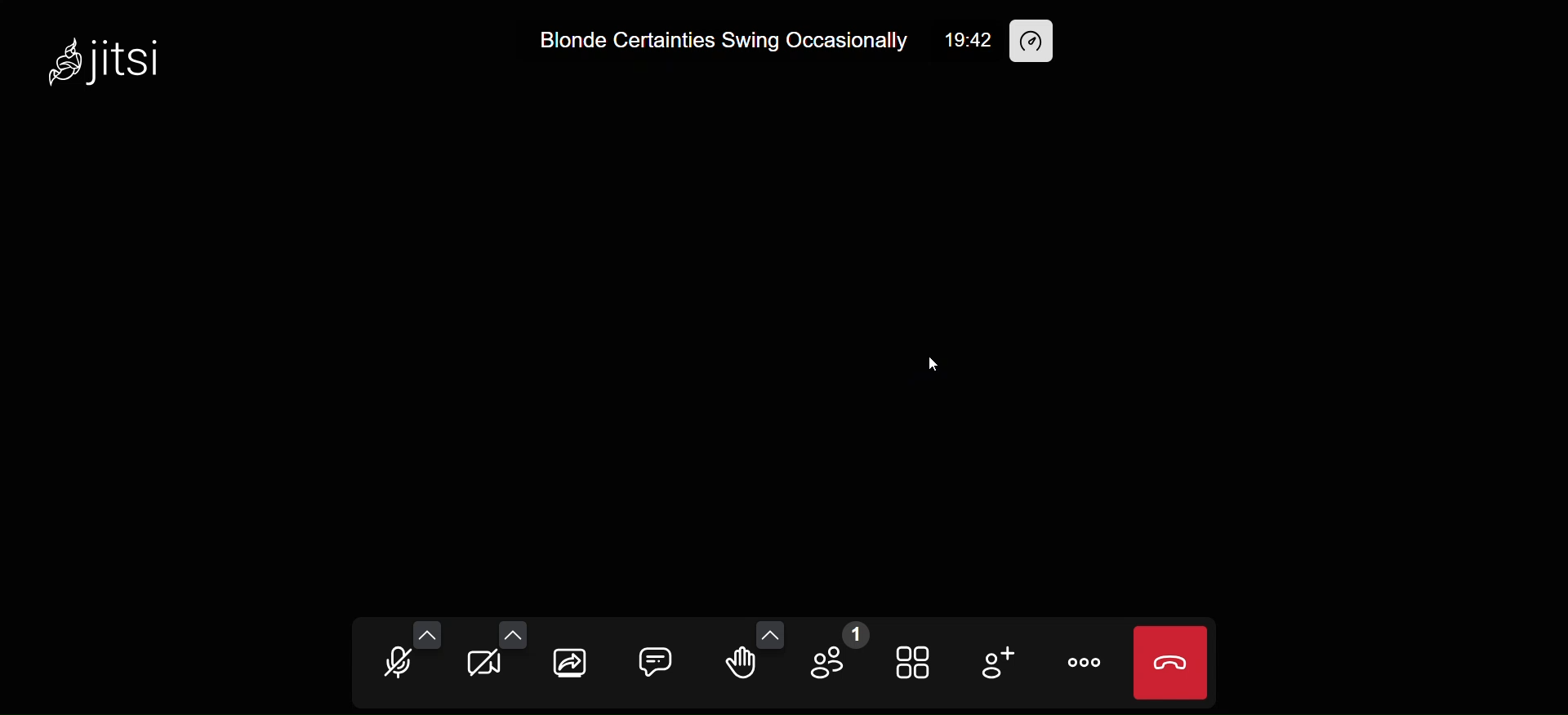 The width and height of the screenshot is (1568, 715). What do you see at coordinates (833, 655) in the screenshot?
I see `participant` at bounding box center [833, 655].